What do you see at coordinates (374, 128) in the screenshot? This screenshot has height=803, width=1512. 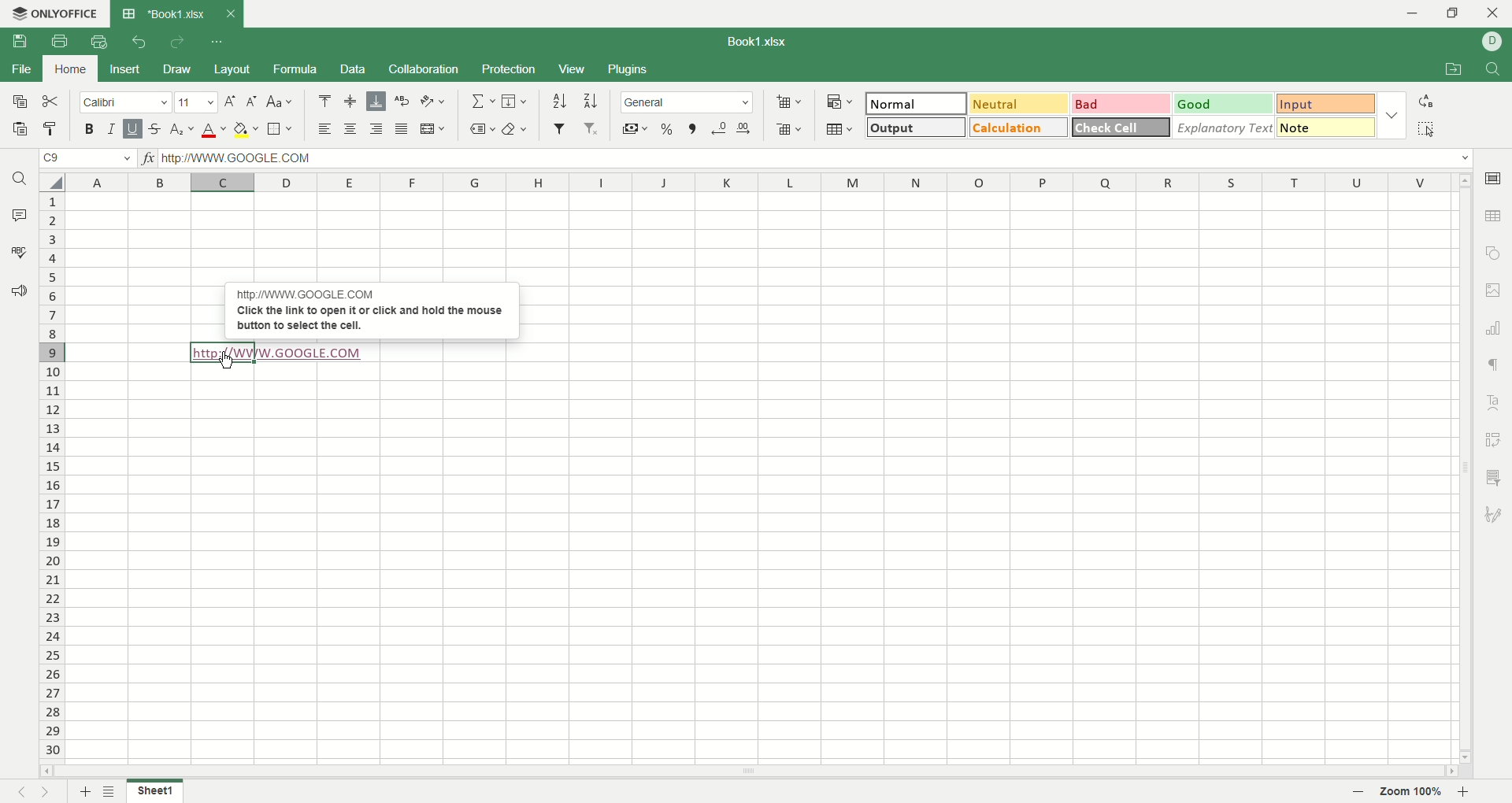 I see `align right` at bounding box center [374, 128].